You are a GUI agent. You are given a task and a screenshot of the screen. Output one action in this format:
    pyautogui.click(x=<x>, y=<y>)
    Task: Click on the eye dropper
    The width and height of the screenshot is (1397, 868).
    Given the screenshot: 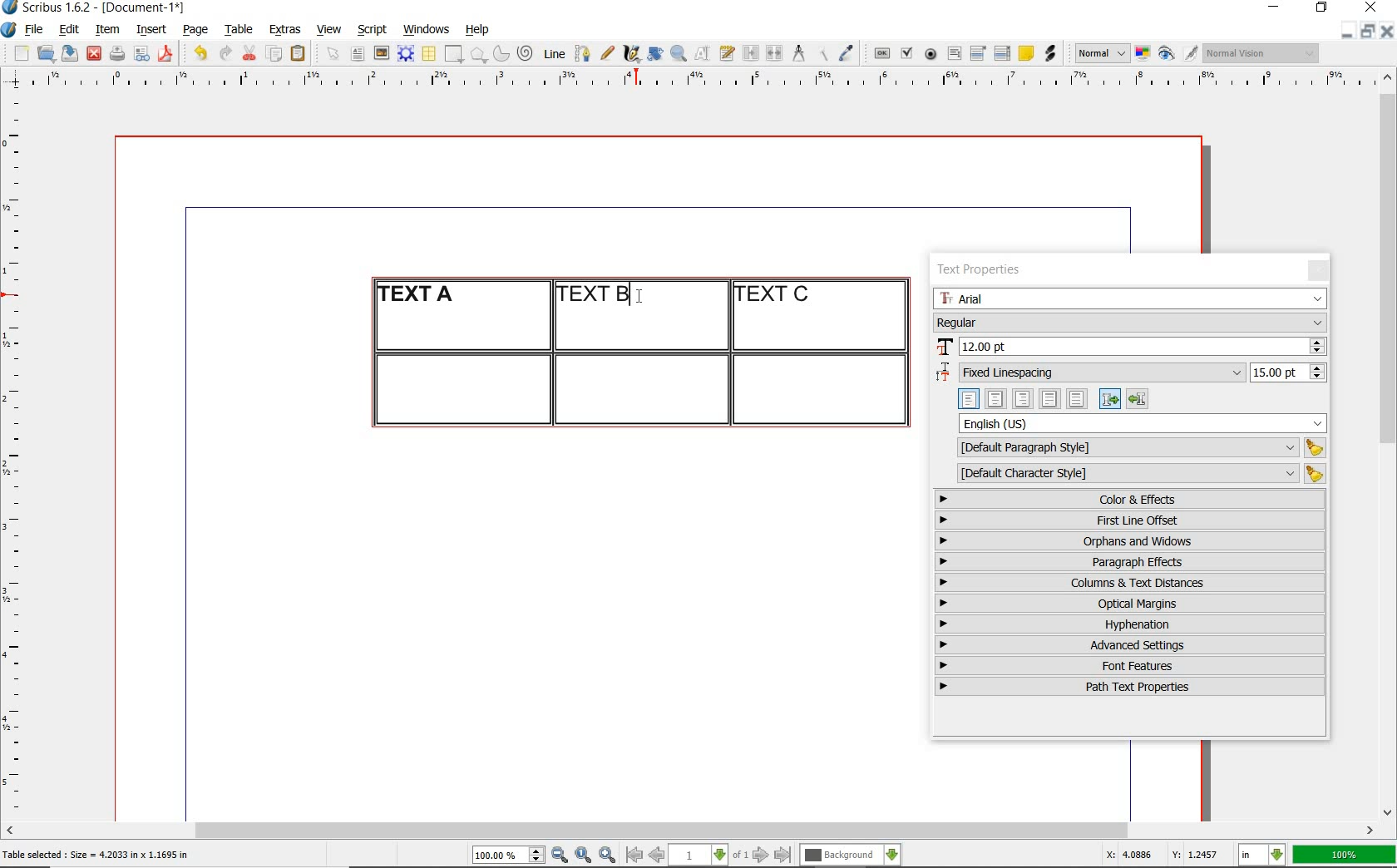 What is the action you would take?
    pyautogui.click(x=846, y=55)
    